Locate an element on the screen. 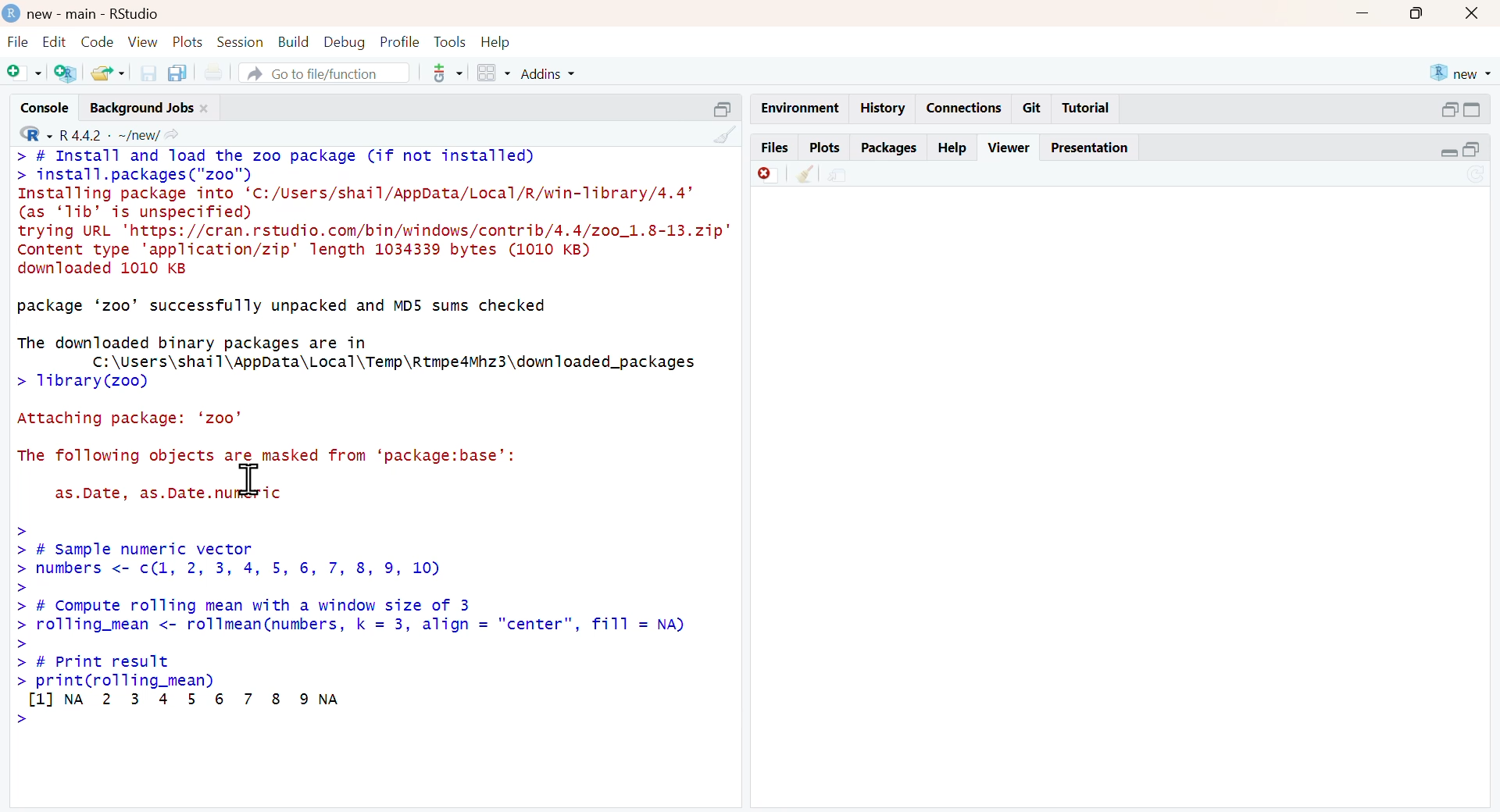 This screenshot has width=1500, height=812. plots is located at coordinates (189, 41).